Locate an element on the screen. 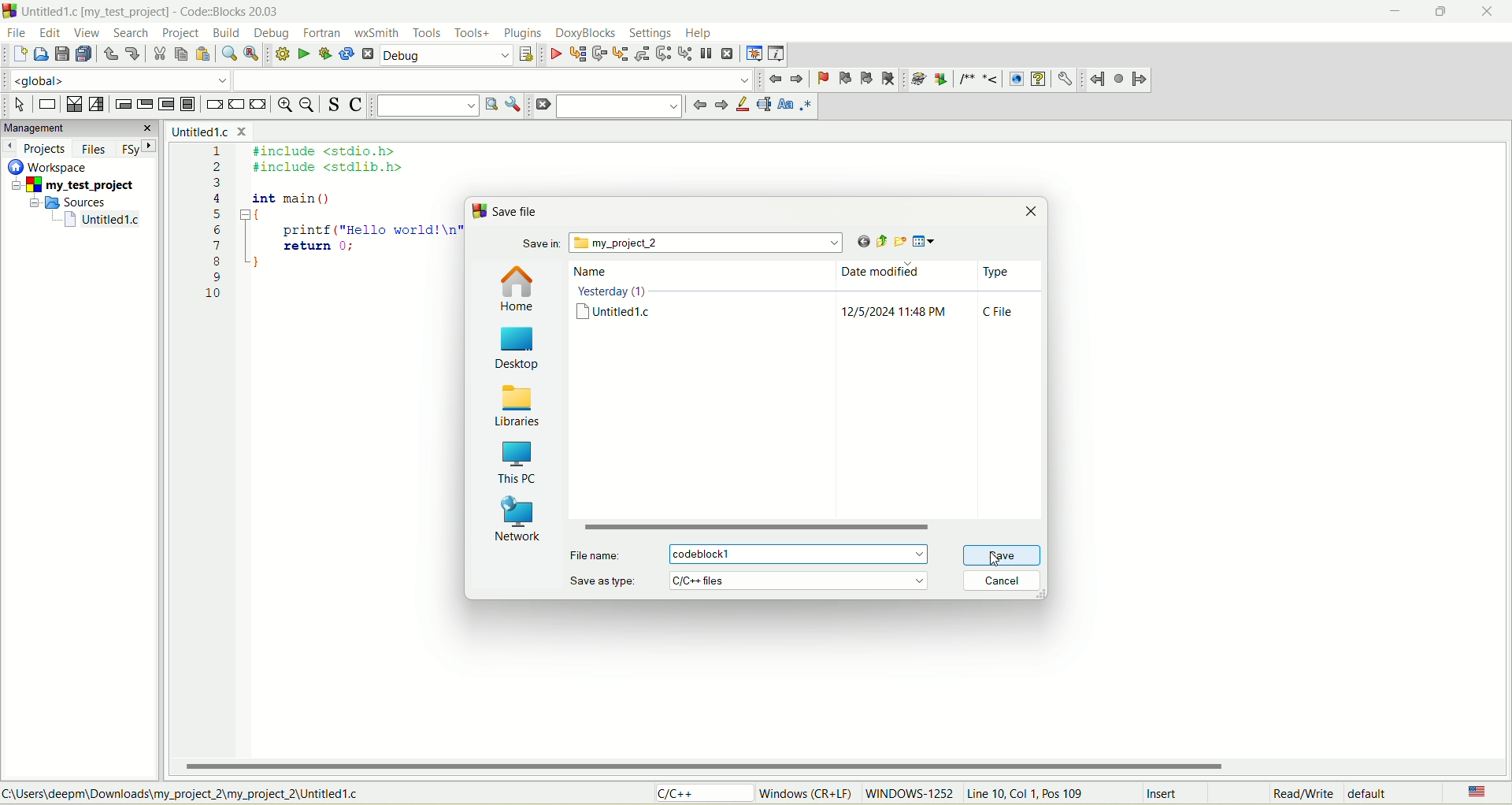 The image size is (1512, 805). line, col, pos is located at coordinates (1027, 794).